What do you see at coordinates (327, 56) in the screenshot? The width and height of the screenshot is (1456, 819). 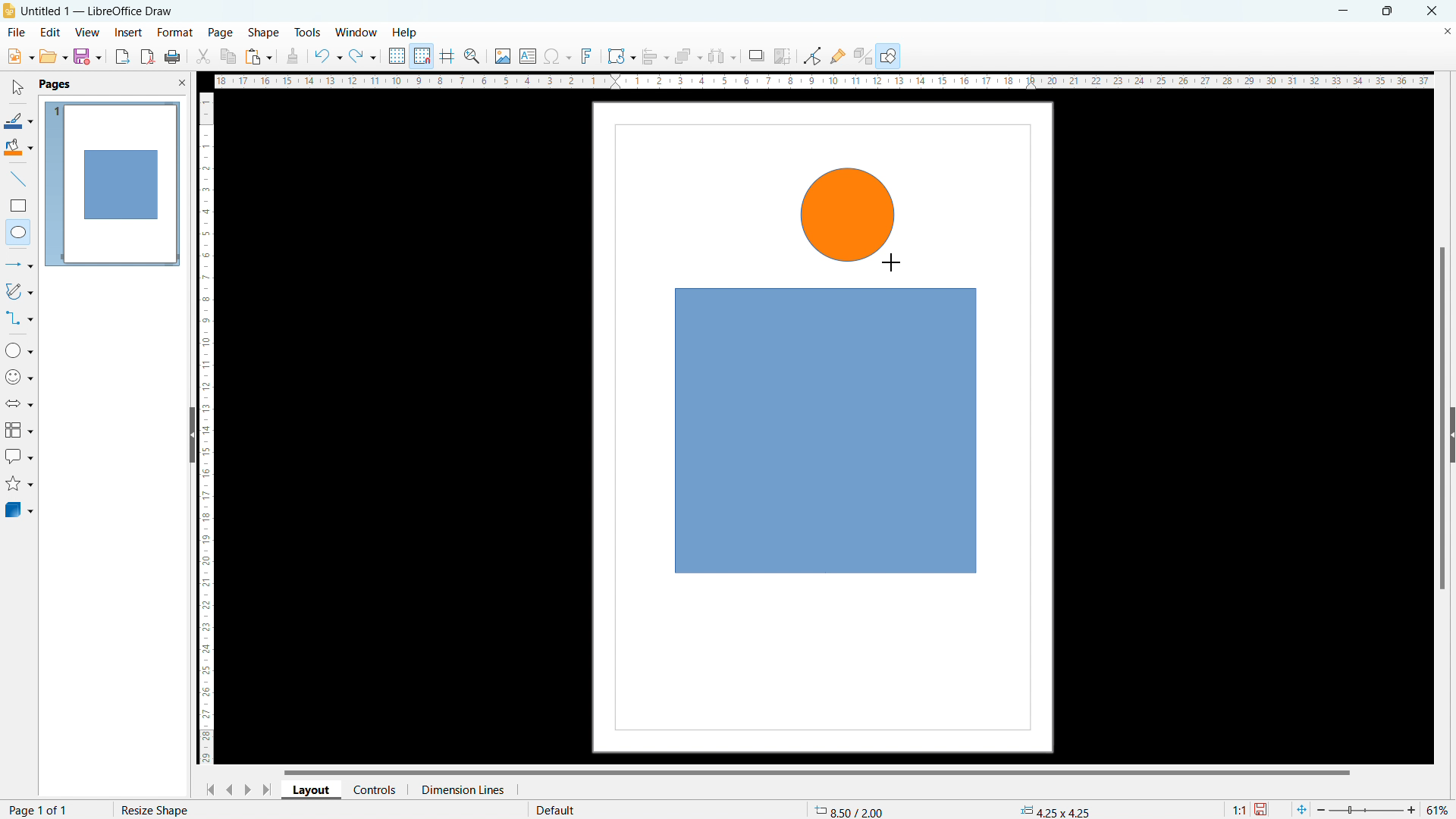 I see `undo` at bounding box center [327, 56].